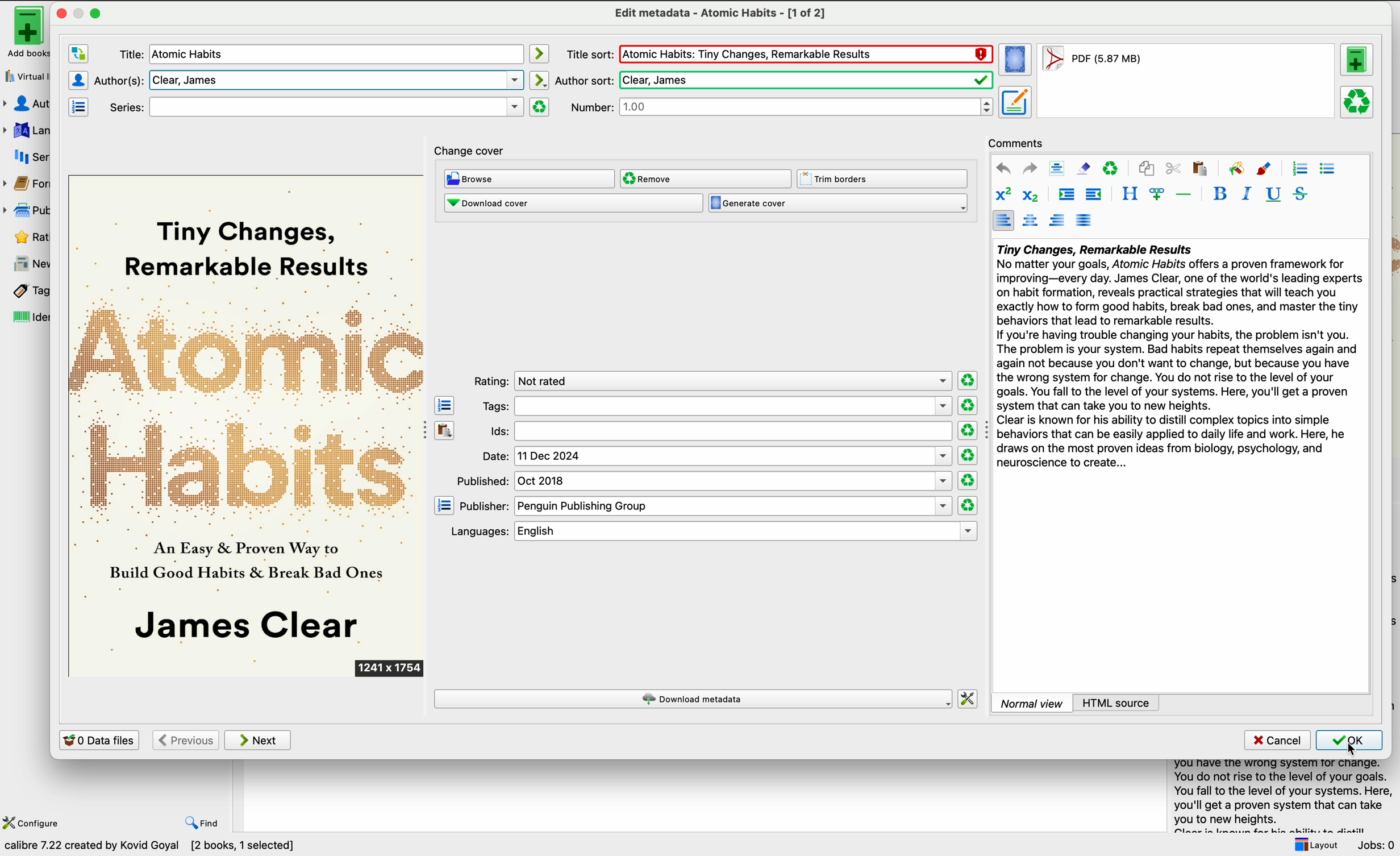 The height and width of the screenshot is (856, 1400). I want to click on subscript, so click(1033, 195).